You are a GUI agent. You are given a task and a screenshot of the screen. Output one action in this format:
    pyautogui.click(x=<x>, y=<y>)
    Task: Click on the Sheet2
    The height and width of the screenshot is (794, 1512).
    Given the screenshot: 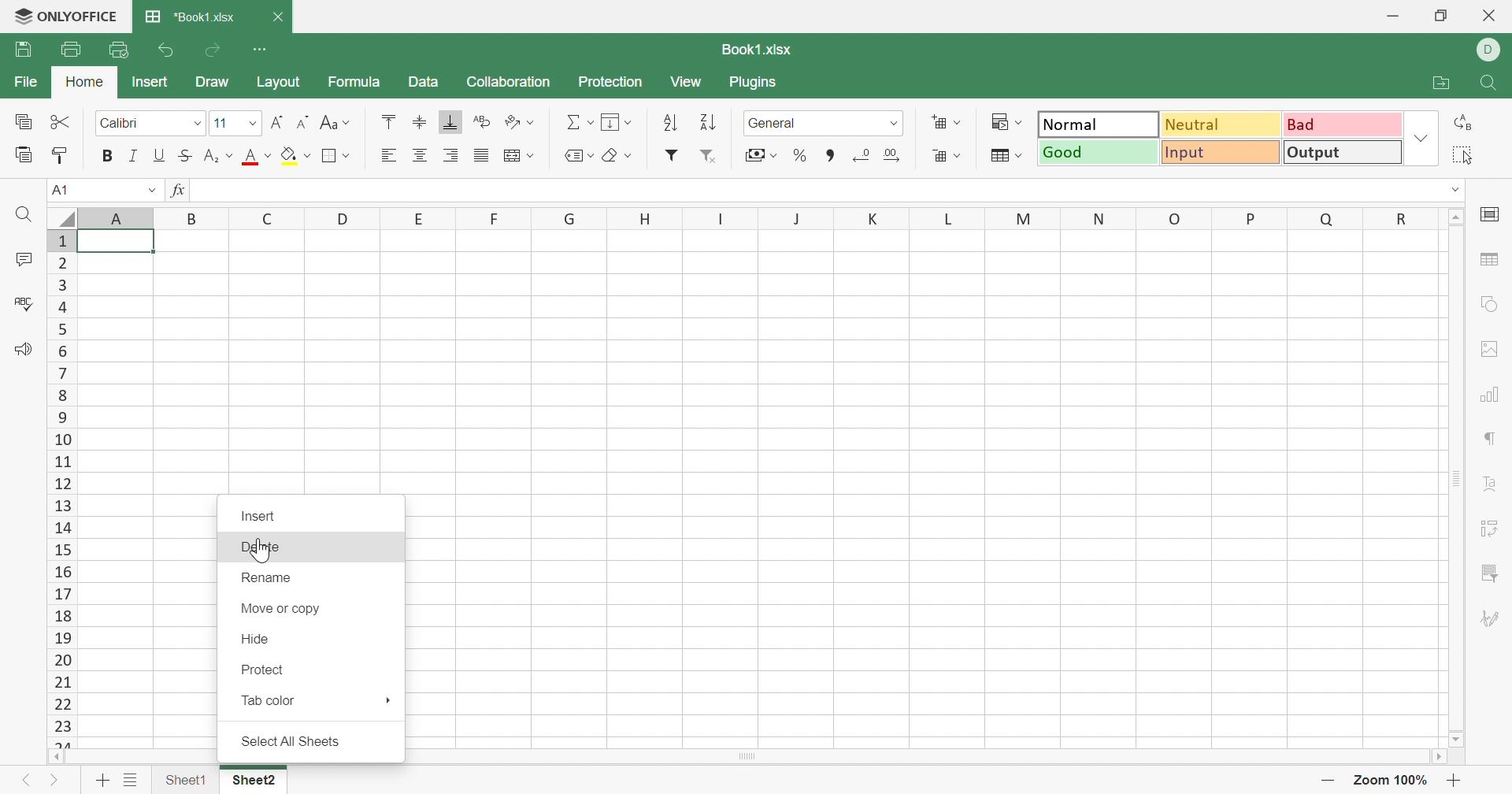 What is the action you would take?
    pyautogui.click(x=254, y=779)
    